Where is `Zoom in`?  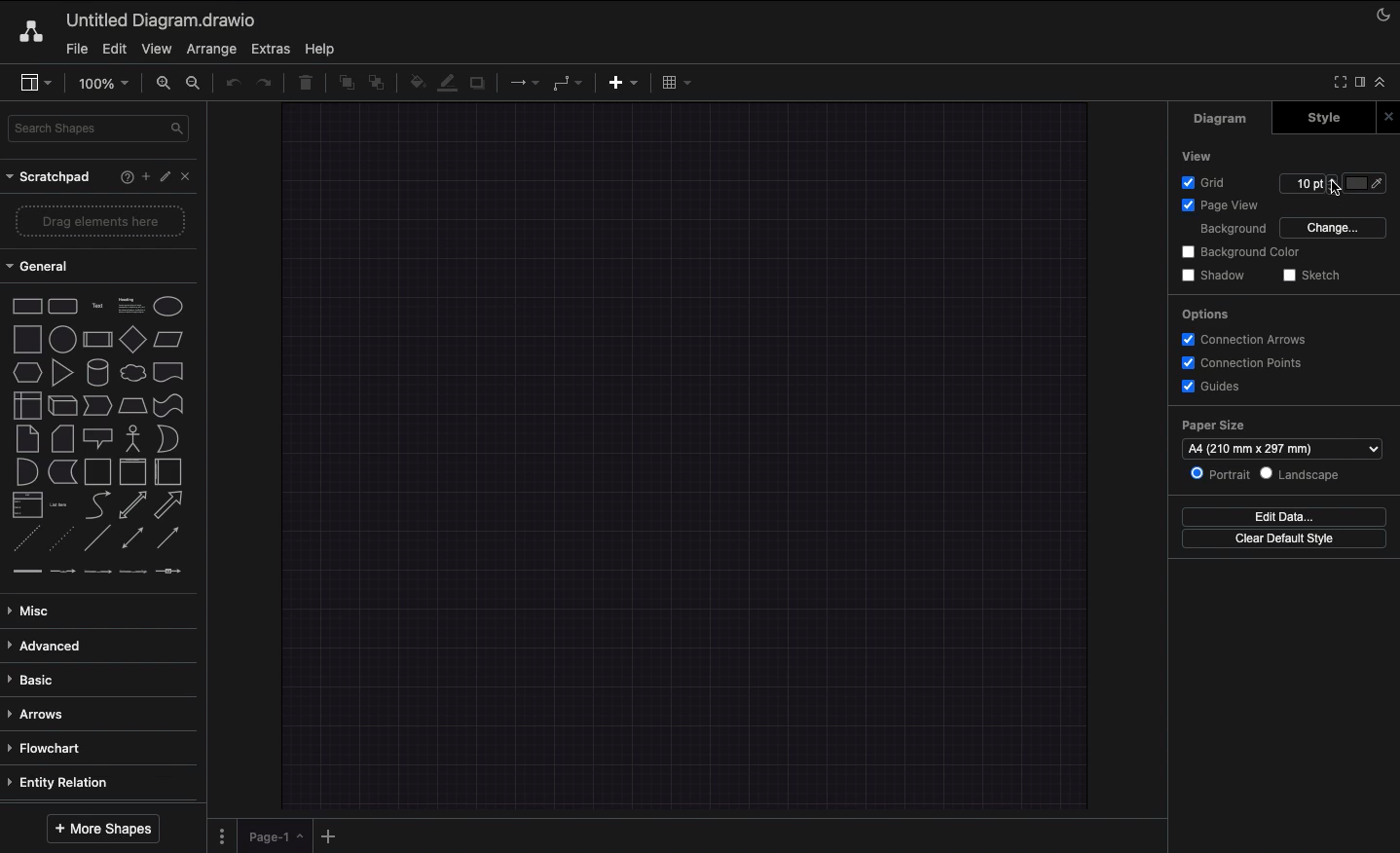
Zoom in is located at coordinates (162, 83).